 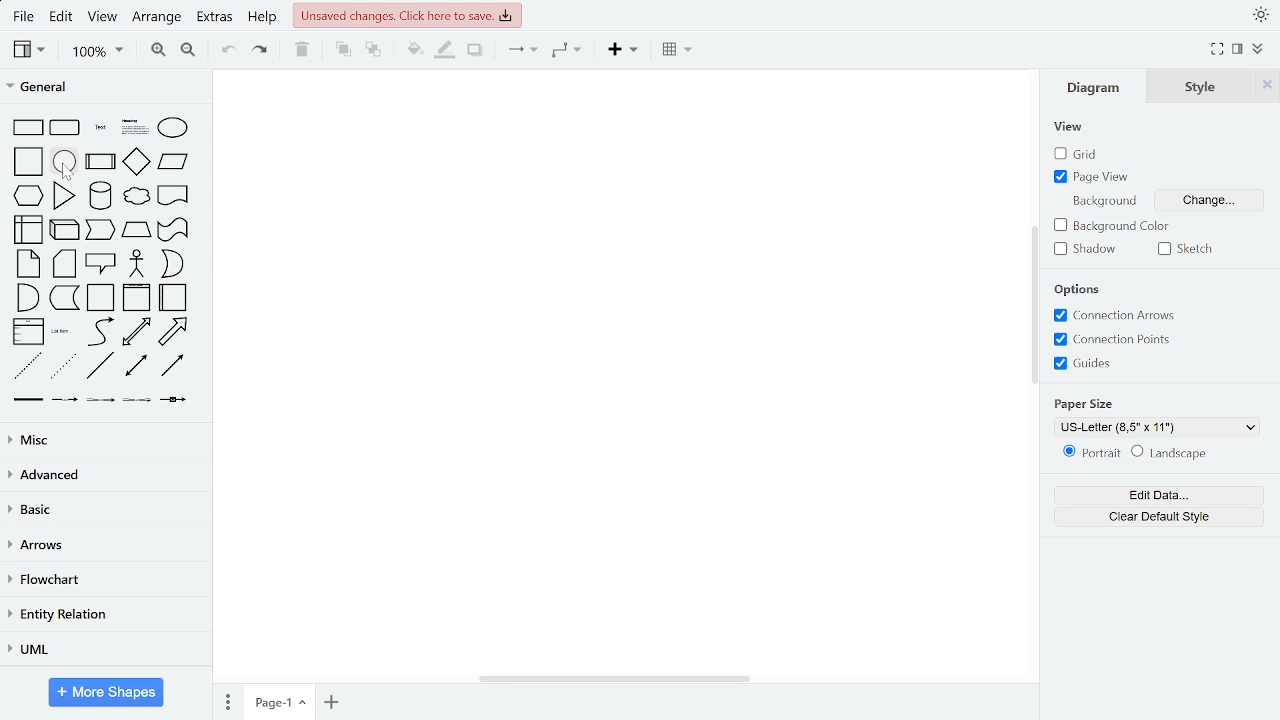 I want to click on actor, so click(x=137, y=263).